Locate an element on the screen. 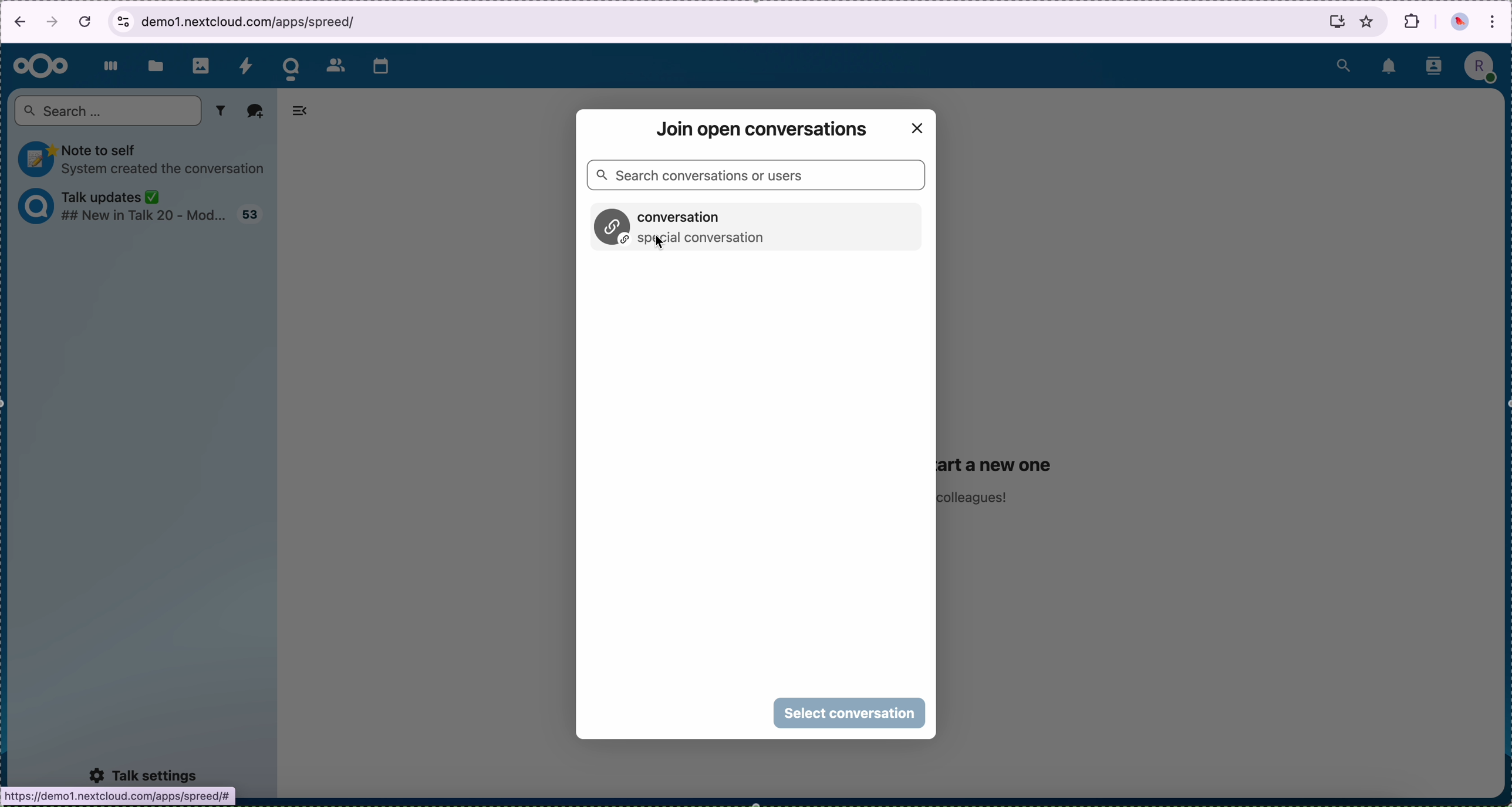 The height and width of the screenshot is (807, 1512). activity is located at coordinates (247, 63).